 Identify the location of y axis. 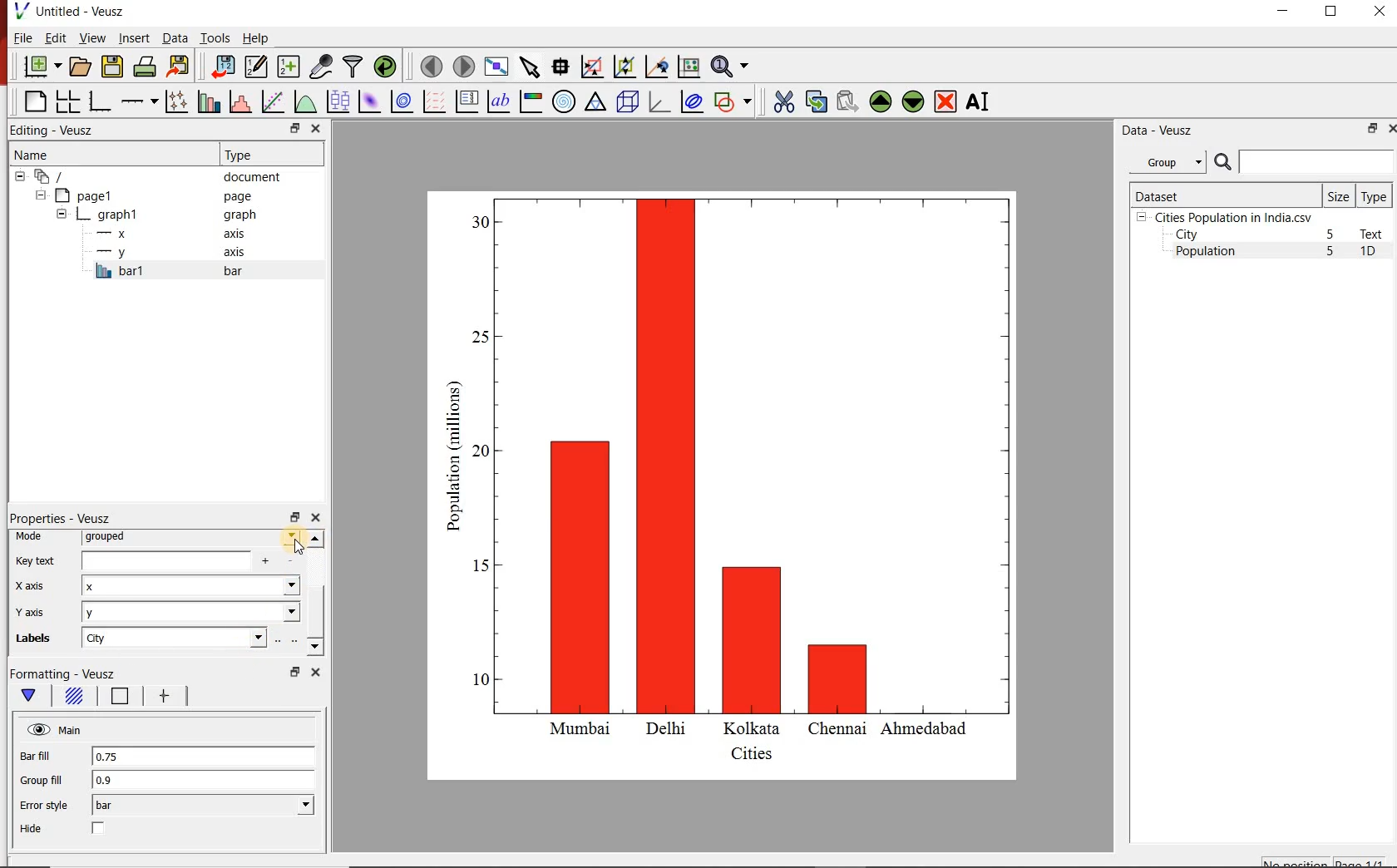
(174, 253).